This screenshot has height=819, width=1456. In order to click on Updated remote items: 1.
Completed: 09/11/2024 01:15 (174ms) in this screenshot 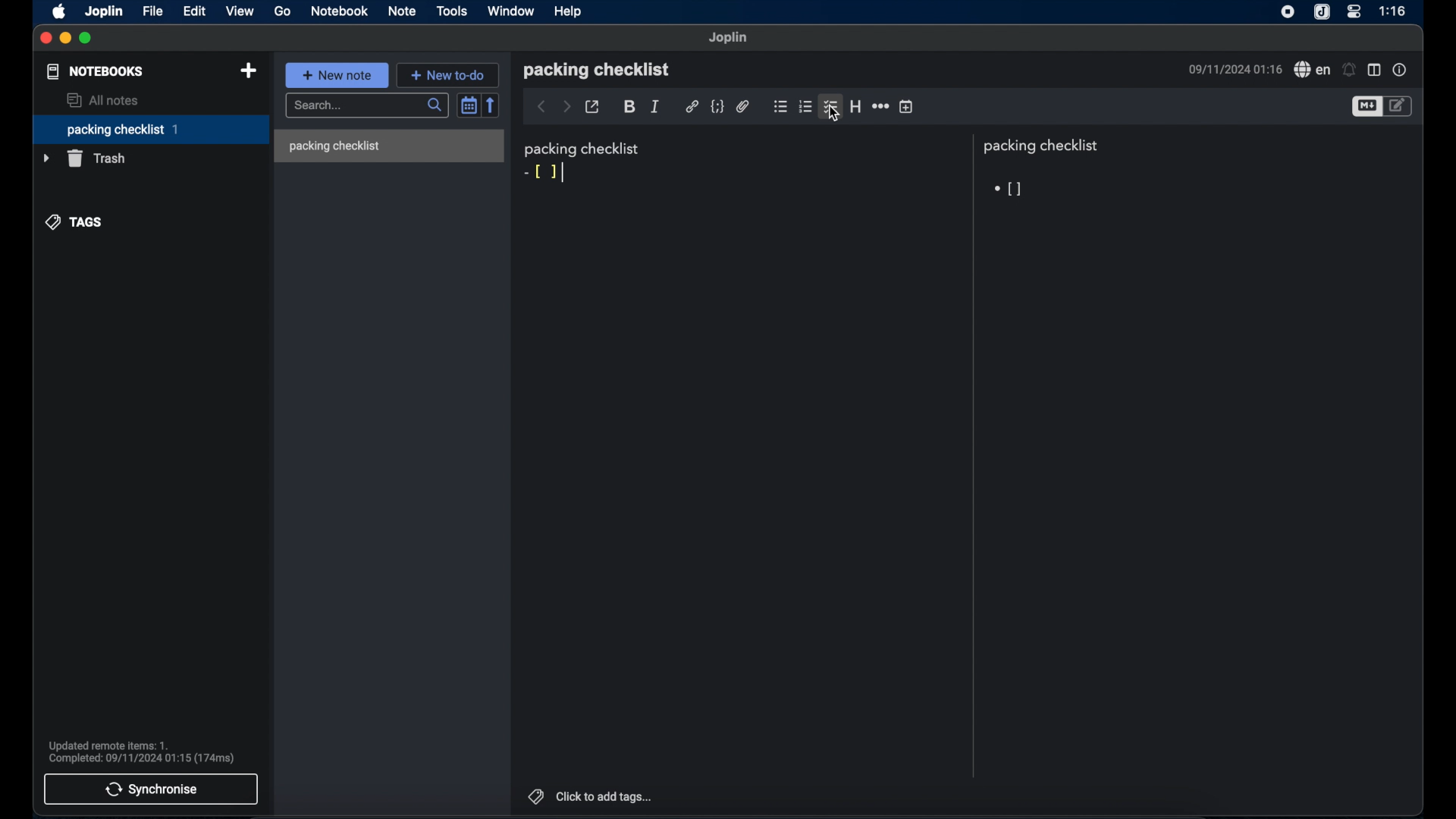, I will do `click(146, 750)`.